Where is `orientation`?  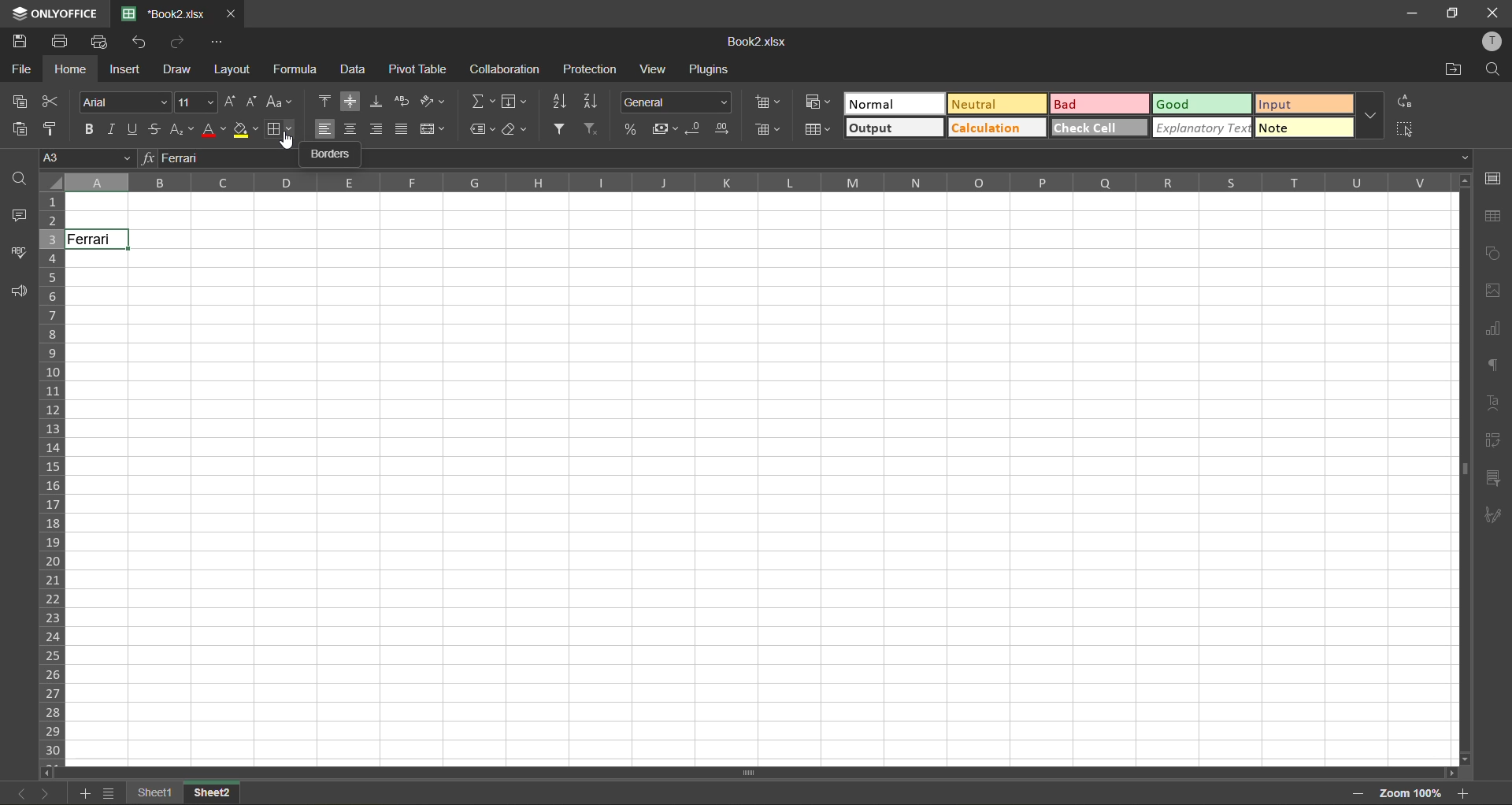
orientation is located at coordinates (432, 101).